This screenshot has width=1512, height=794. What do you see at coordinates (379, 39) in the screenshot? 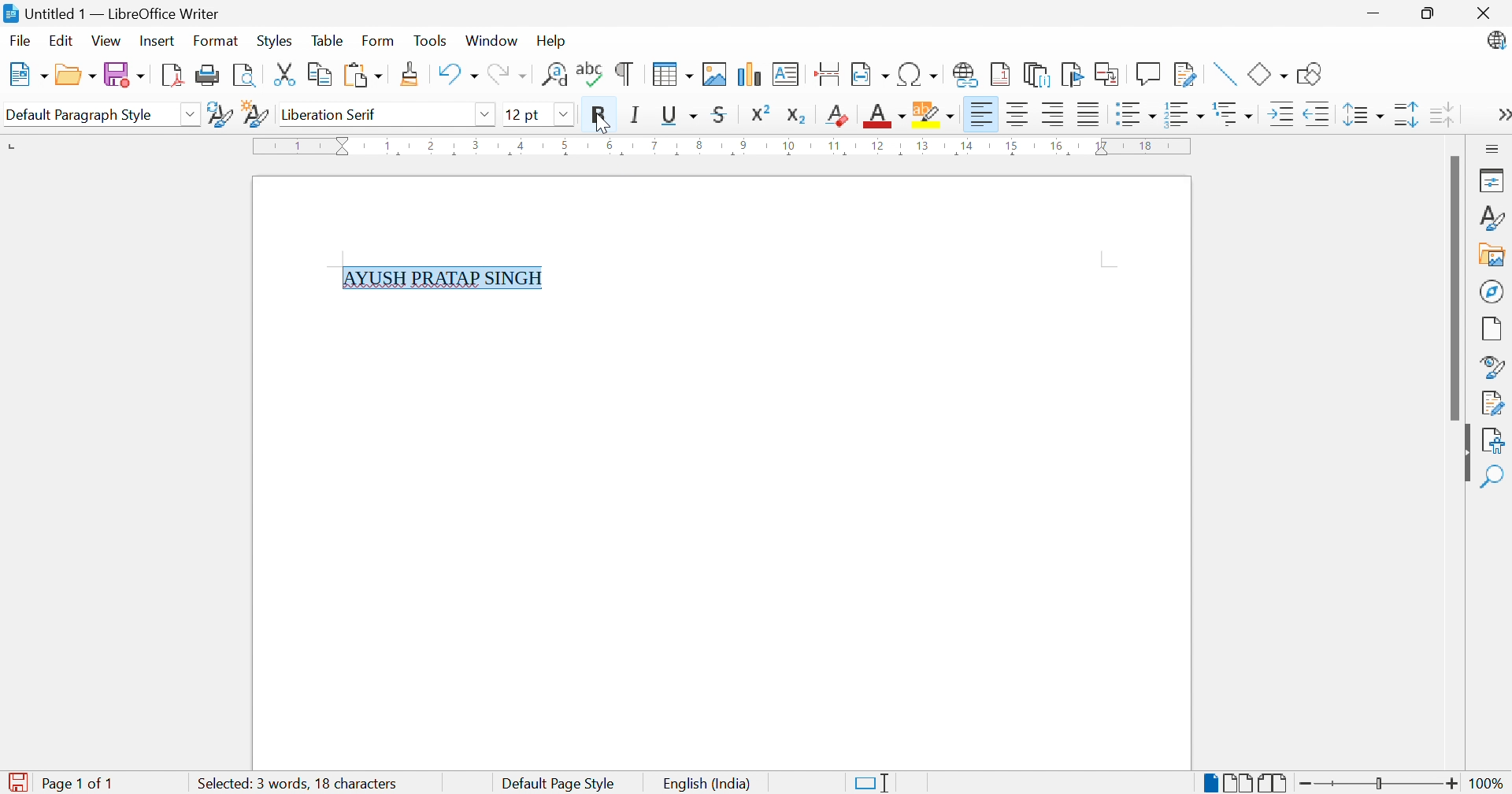
I see `Form` at bounding box center [379, 39].